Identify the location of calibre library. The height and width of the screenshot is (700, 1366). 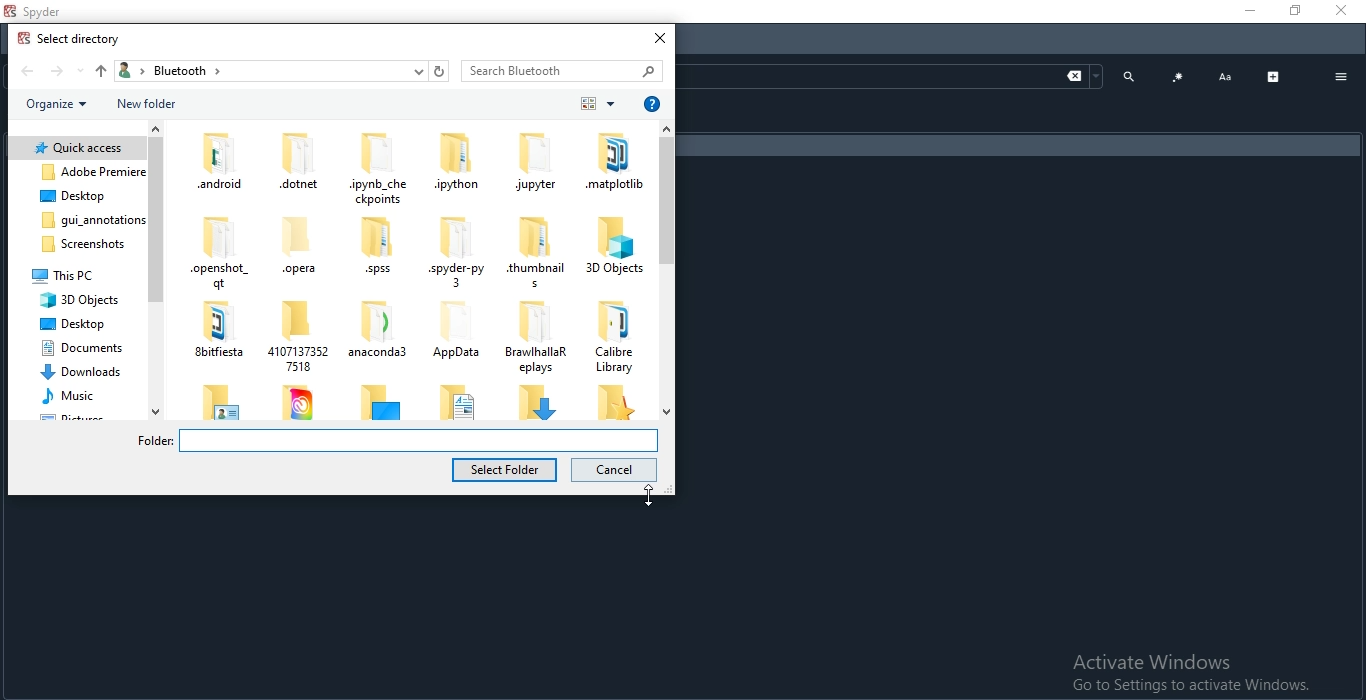
(611, 333).